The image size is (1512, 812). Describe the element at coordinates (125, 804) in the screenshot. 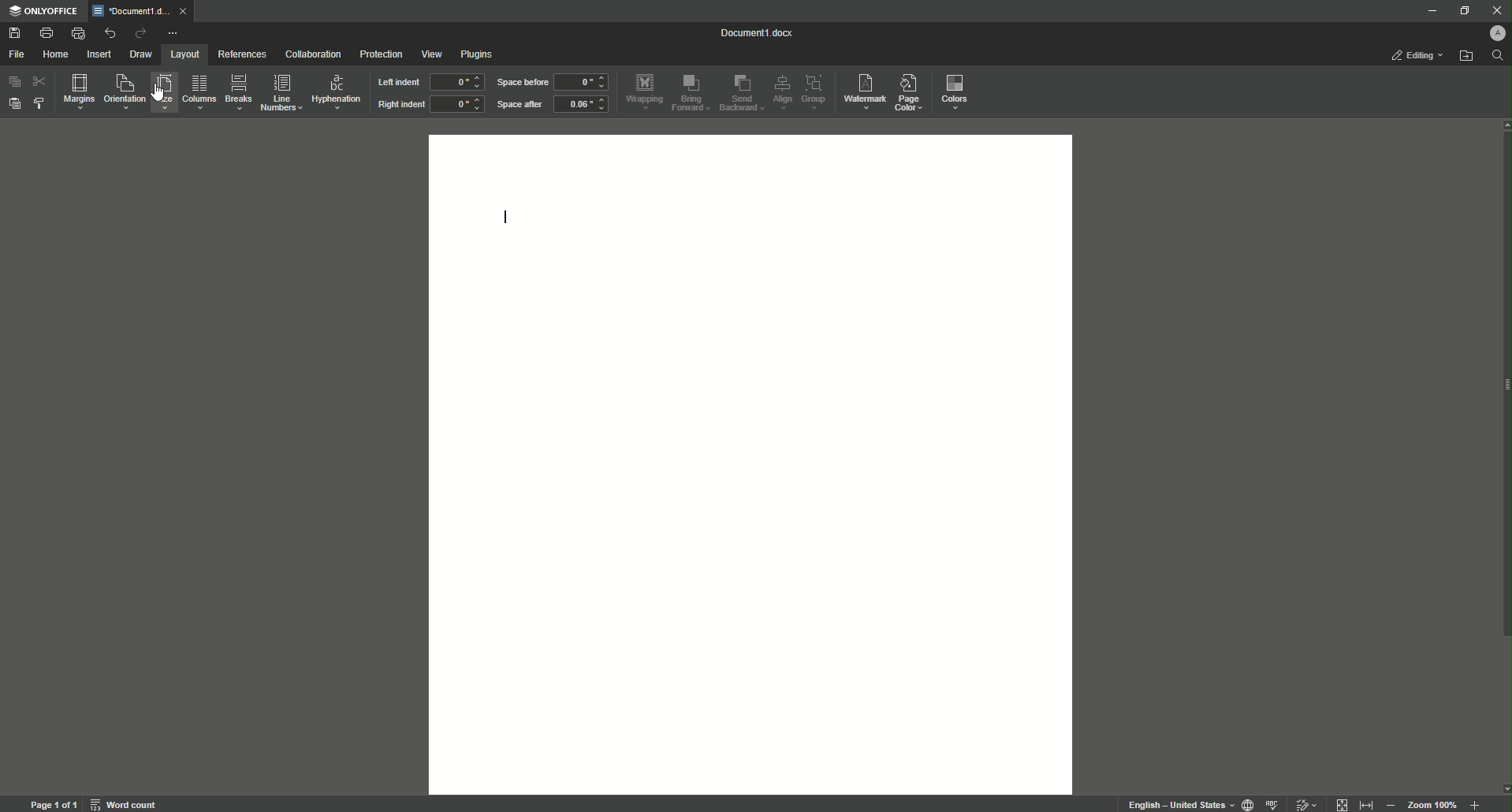

I see `Word count` at that location.